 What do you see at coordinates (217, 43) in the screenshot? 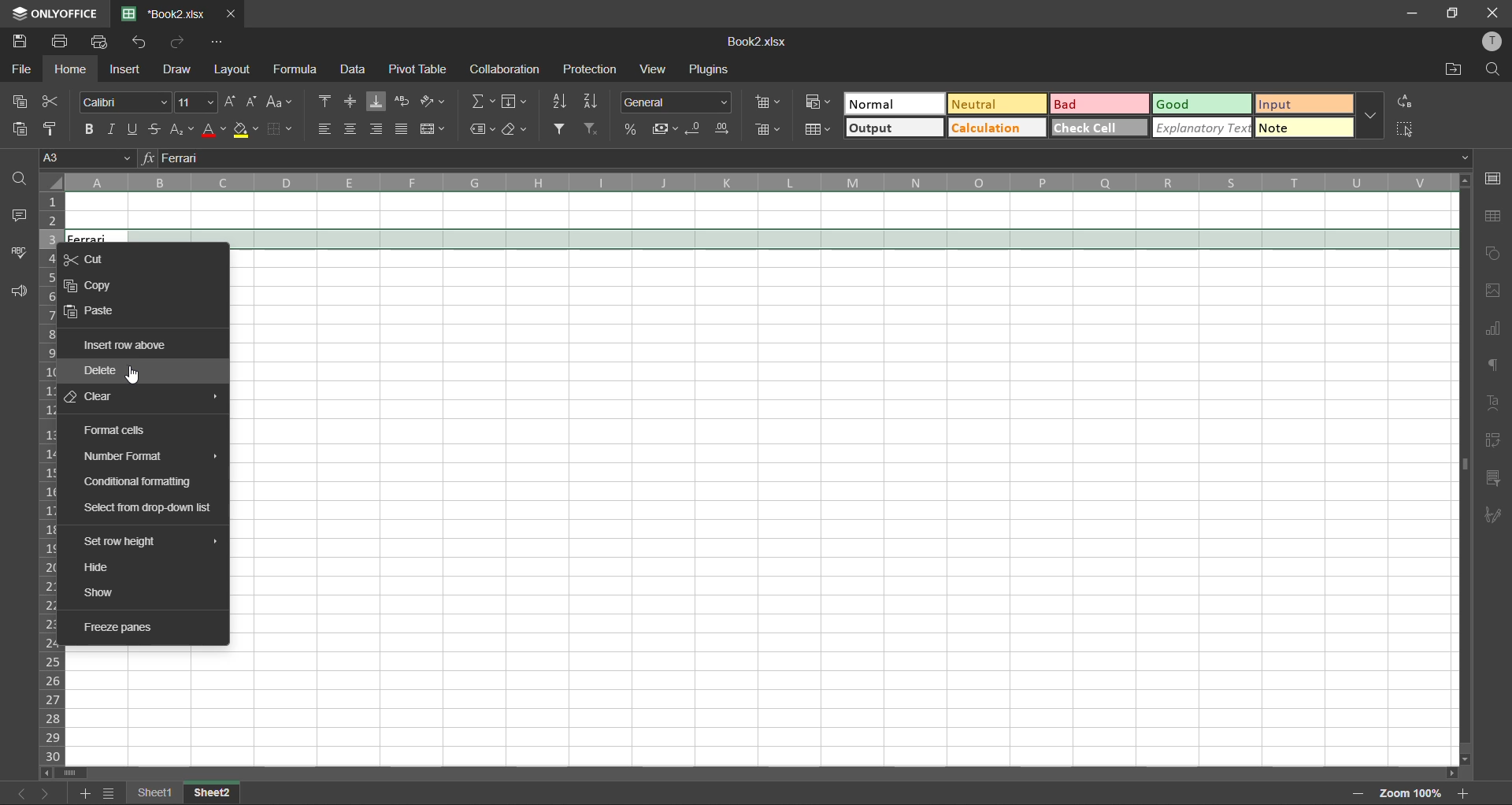
I see `customize quick access bar` at bounding box center [217, 43].